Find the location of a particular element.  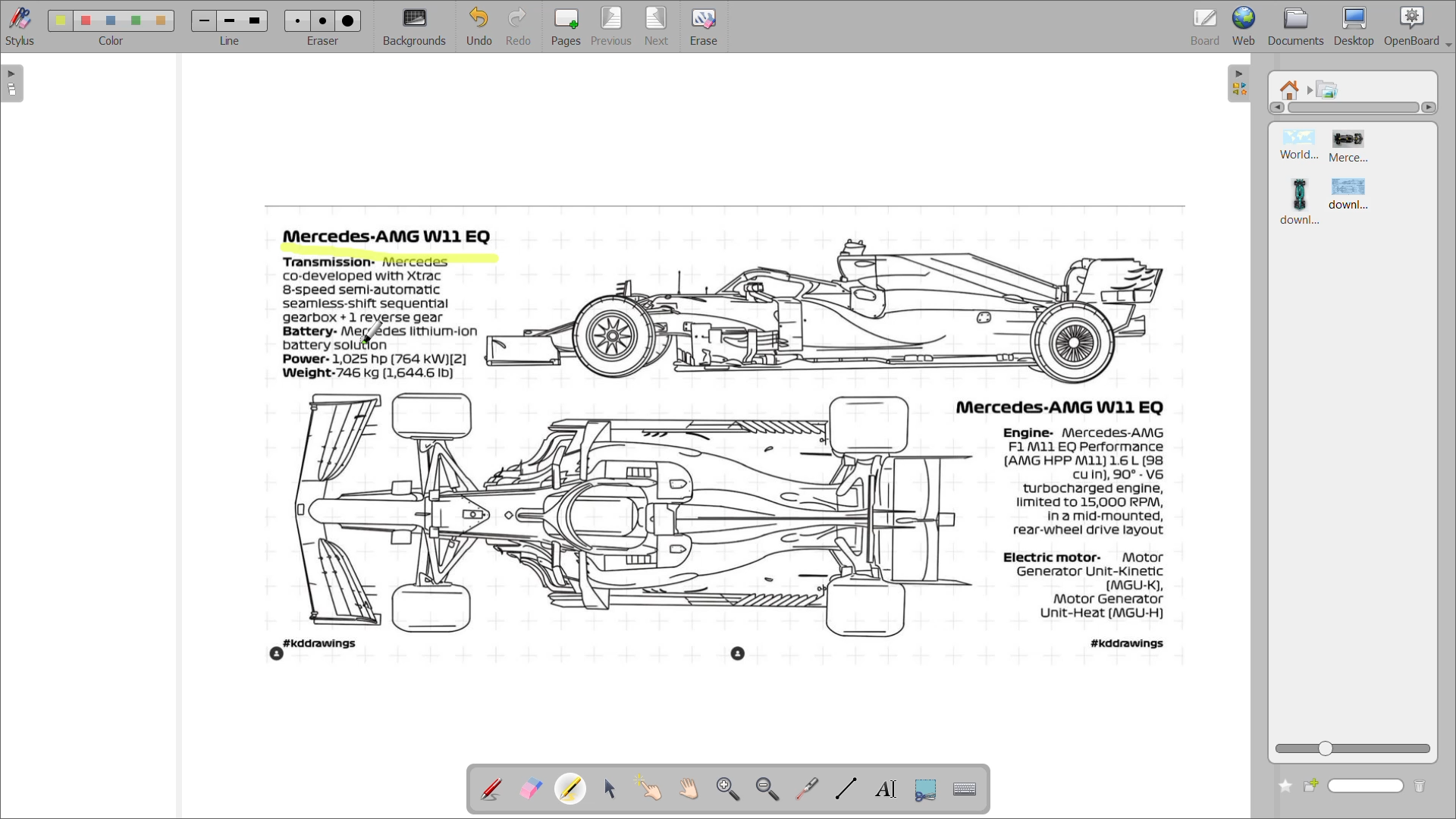

write text is located at coordinates (885, 789).